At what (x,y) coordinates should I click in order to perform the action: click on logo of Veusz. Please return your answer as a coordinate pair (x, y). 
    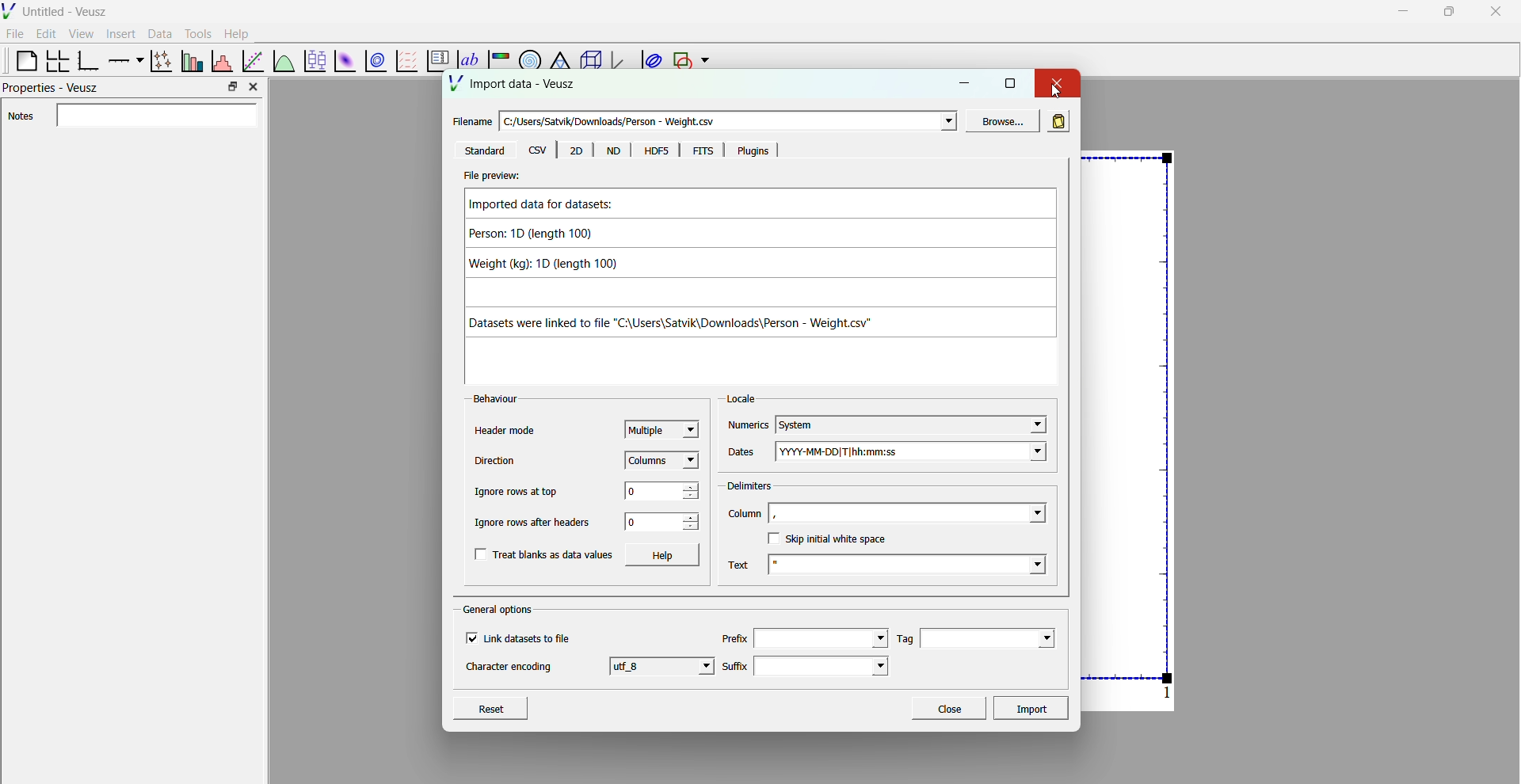
    Looking at the image, I should click on (10, 10).